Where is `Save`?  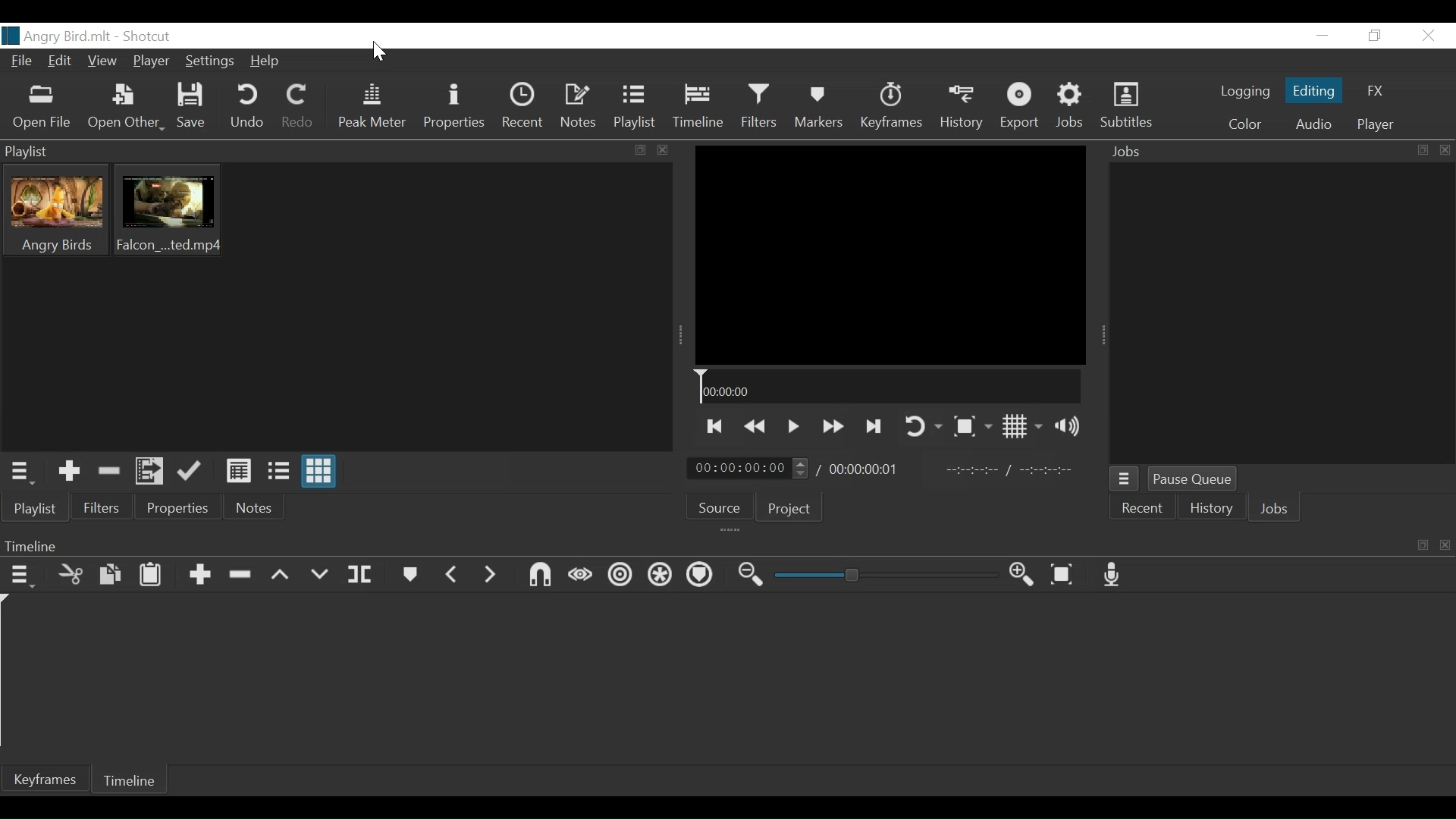 Save is located at coordinates (192, 106).